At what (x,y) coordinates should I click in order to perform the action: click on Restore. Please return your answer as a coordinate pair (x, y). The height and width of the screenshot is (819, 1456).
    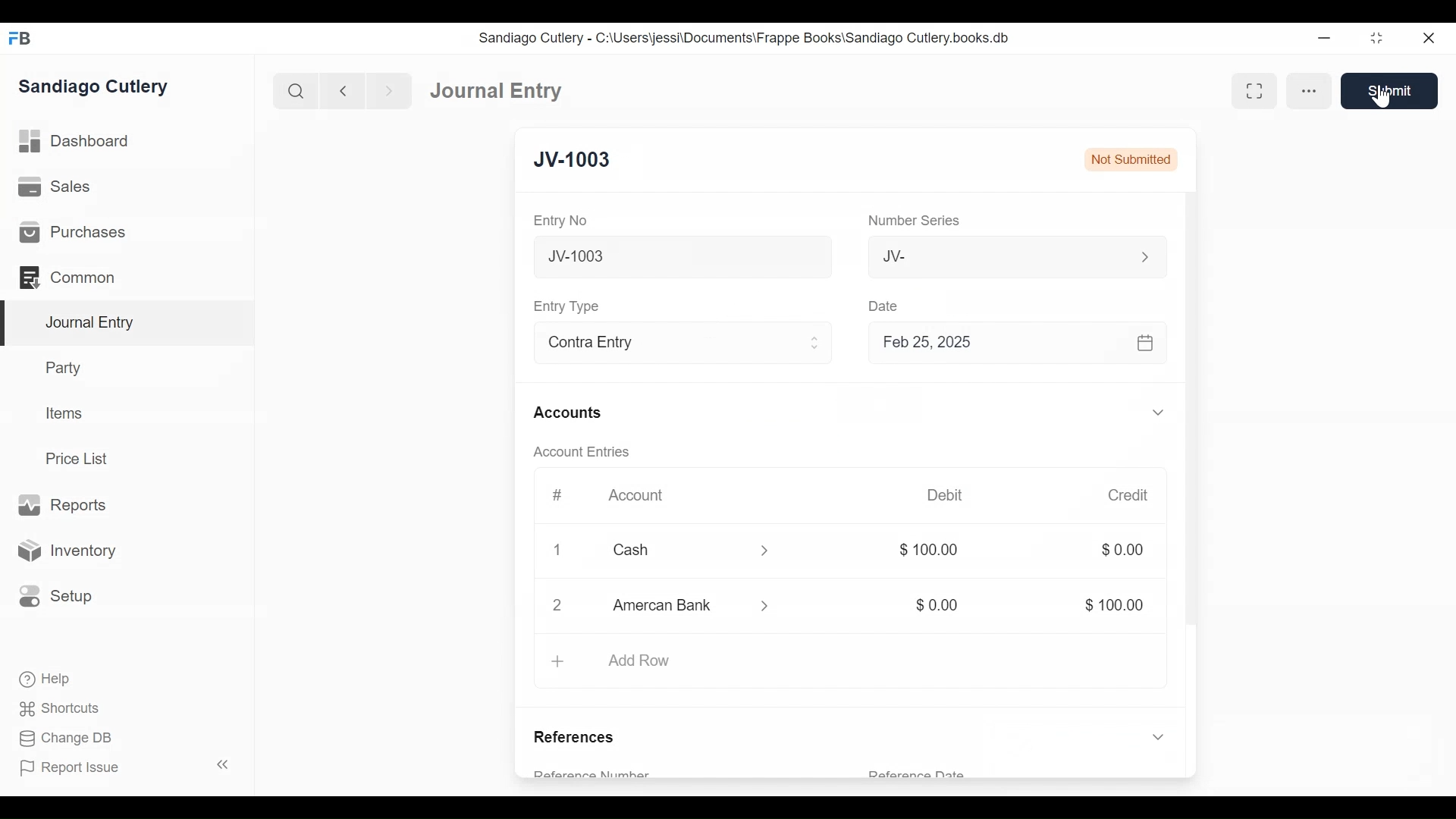
    Looking at the image, I should click on (1376, 39).